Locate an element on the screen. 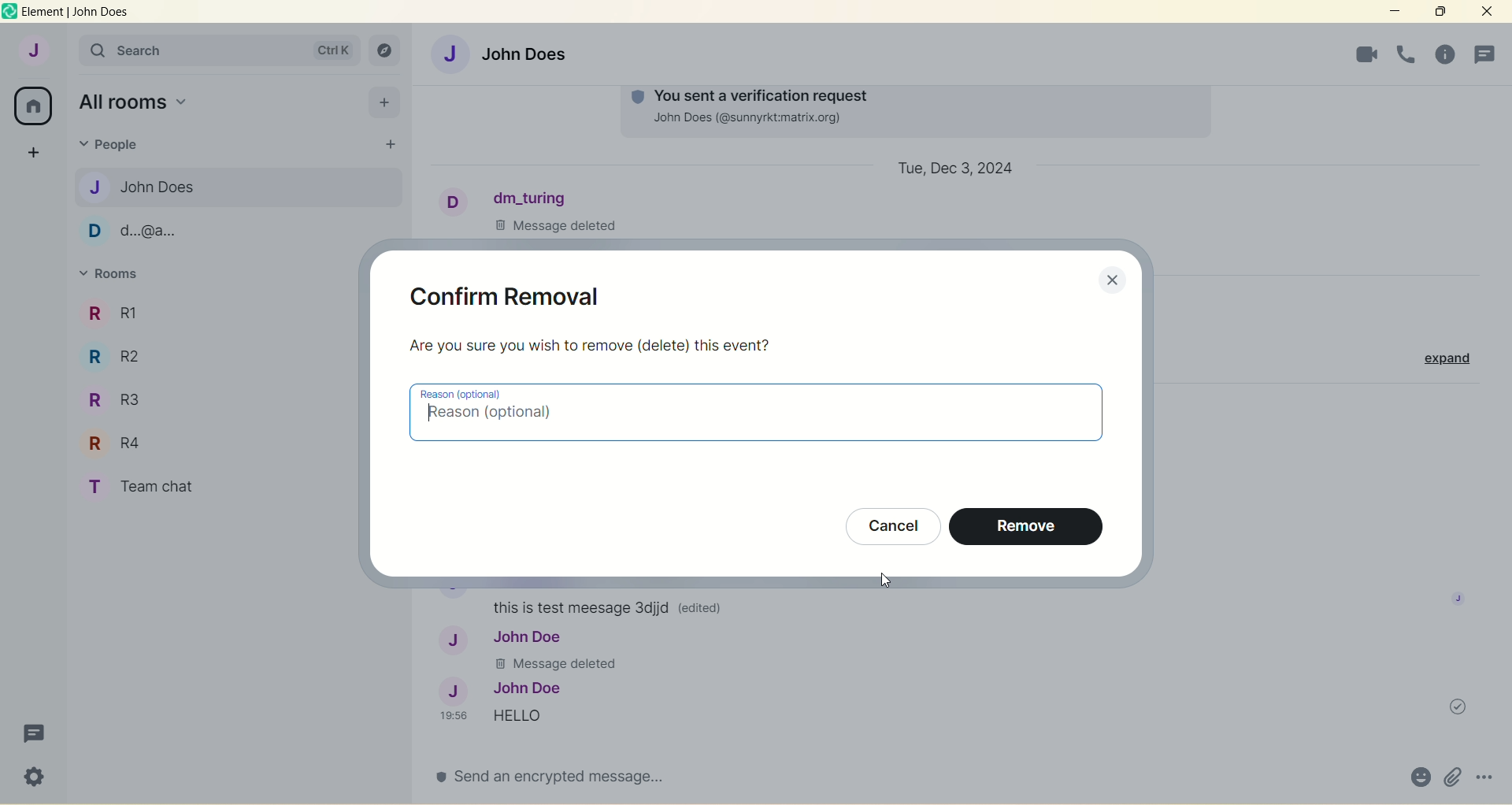 The width and height of the screenshot is (1512, 805). John Does is located at coordinates (512, 52).